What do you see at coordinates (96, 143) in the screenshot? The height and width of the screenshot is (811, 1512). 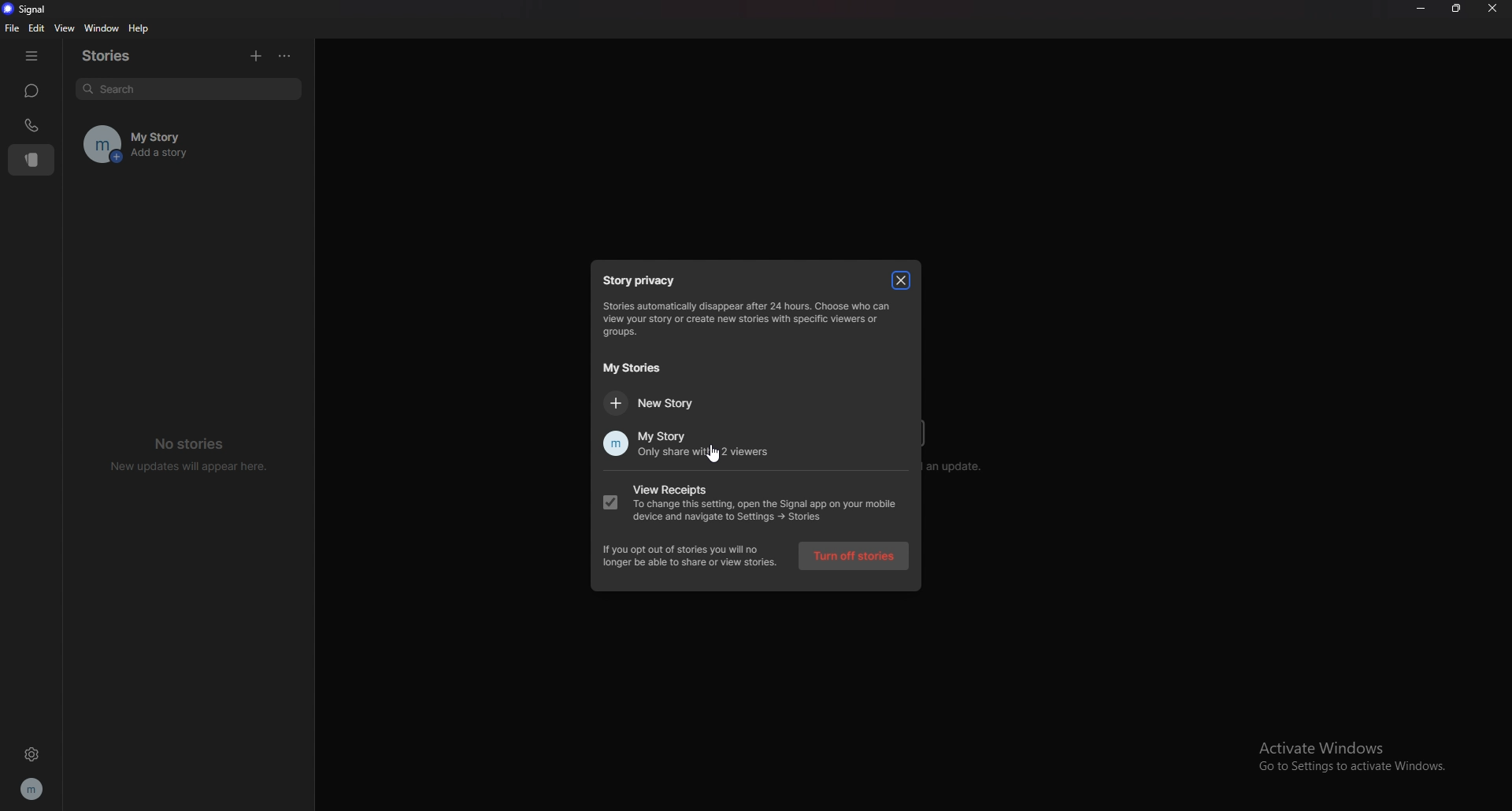 I see `profile image` at bounding box center [96, 143].